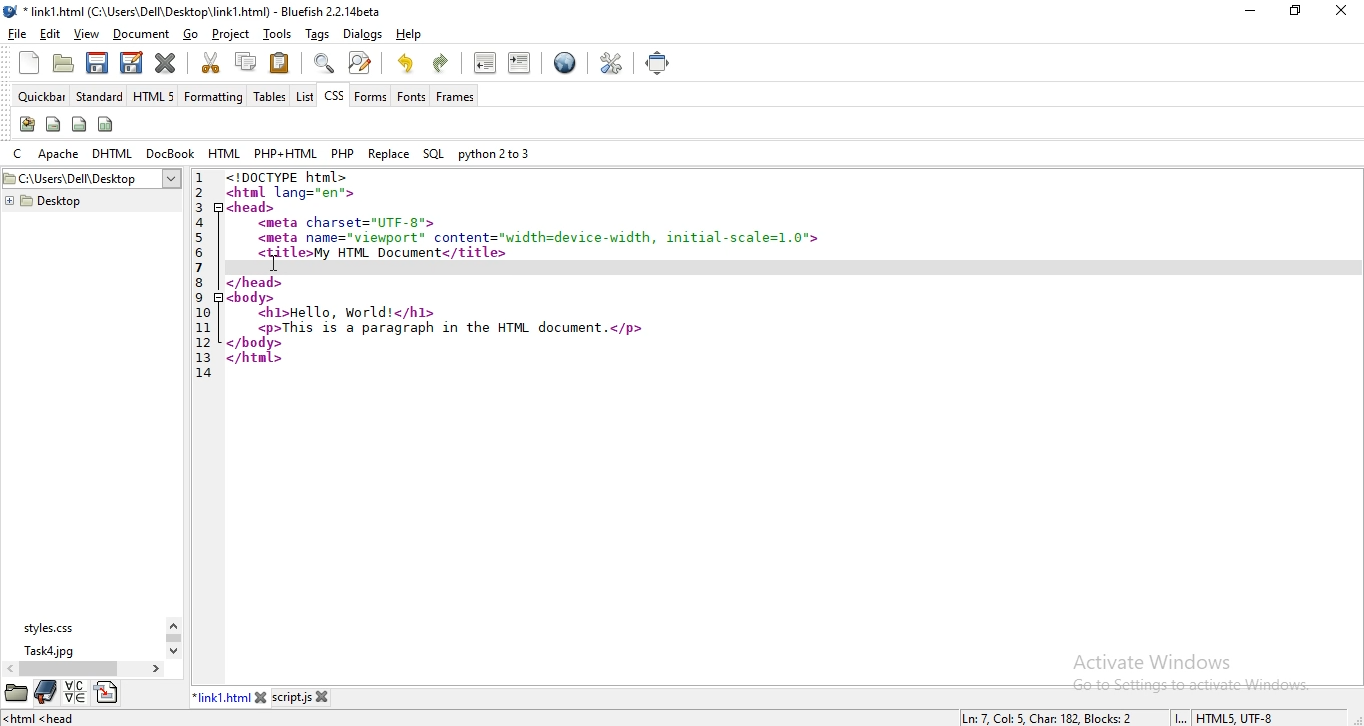  What do you see at coordinates (203, 328) in the screenshot?
I see `11` at bounding box center [203, 328].